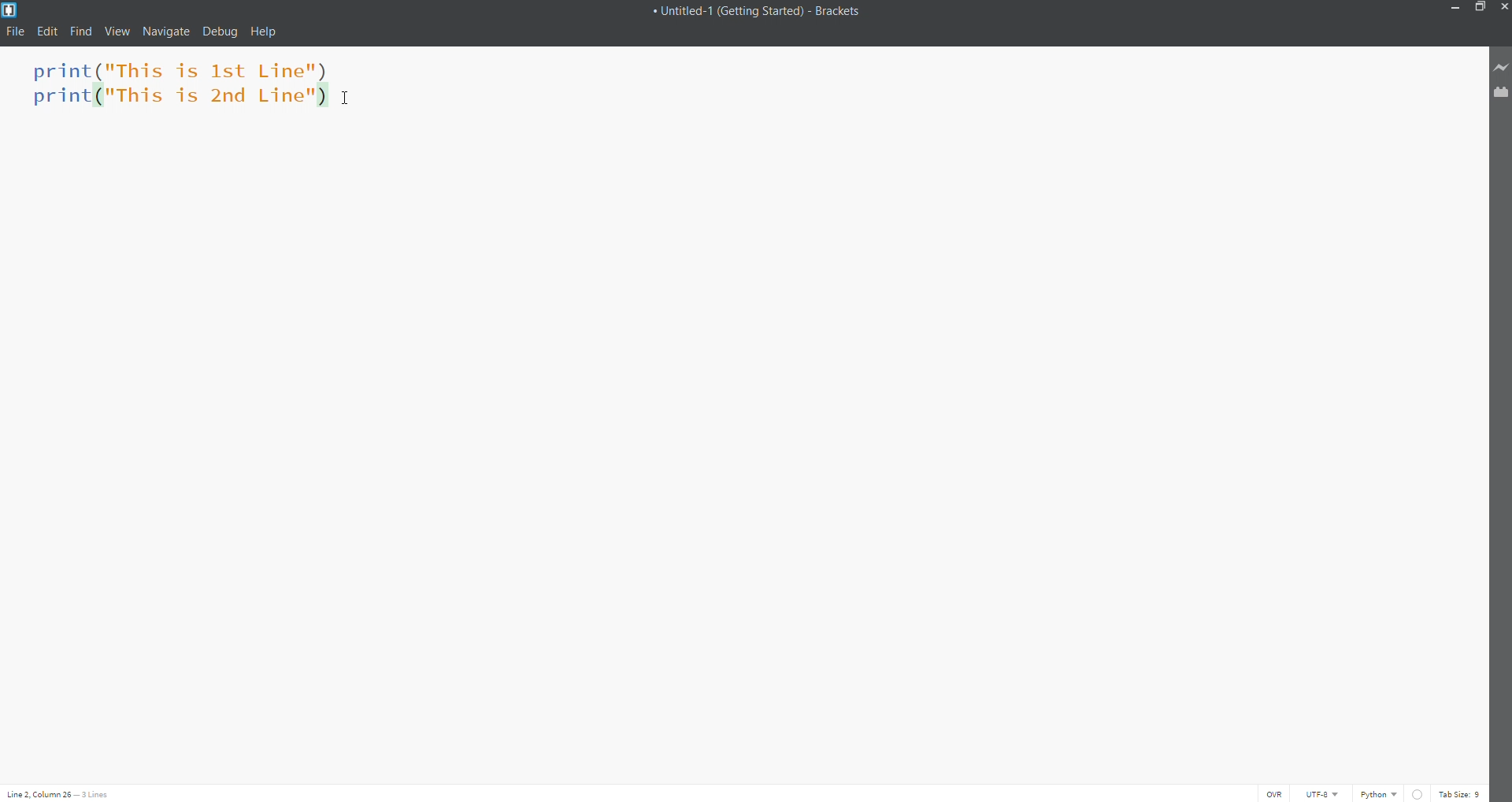  I want to click on Tab Size, so click(1459, 793).